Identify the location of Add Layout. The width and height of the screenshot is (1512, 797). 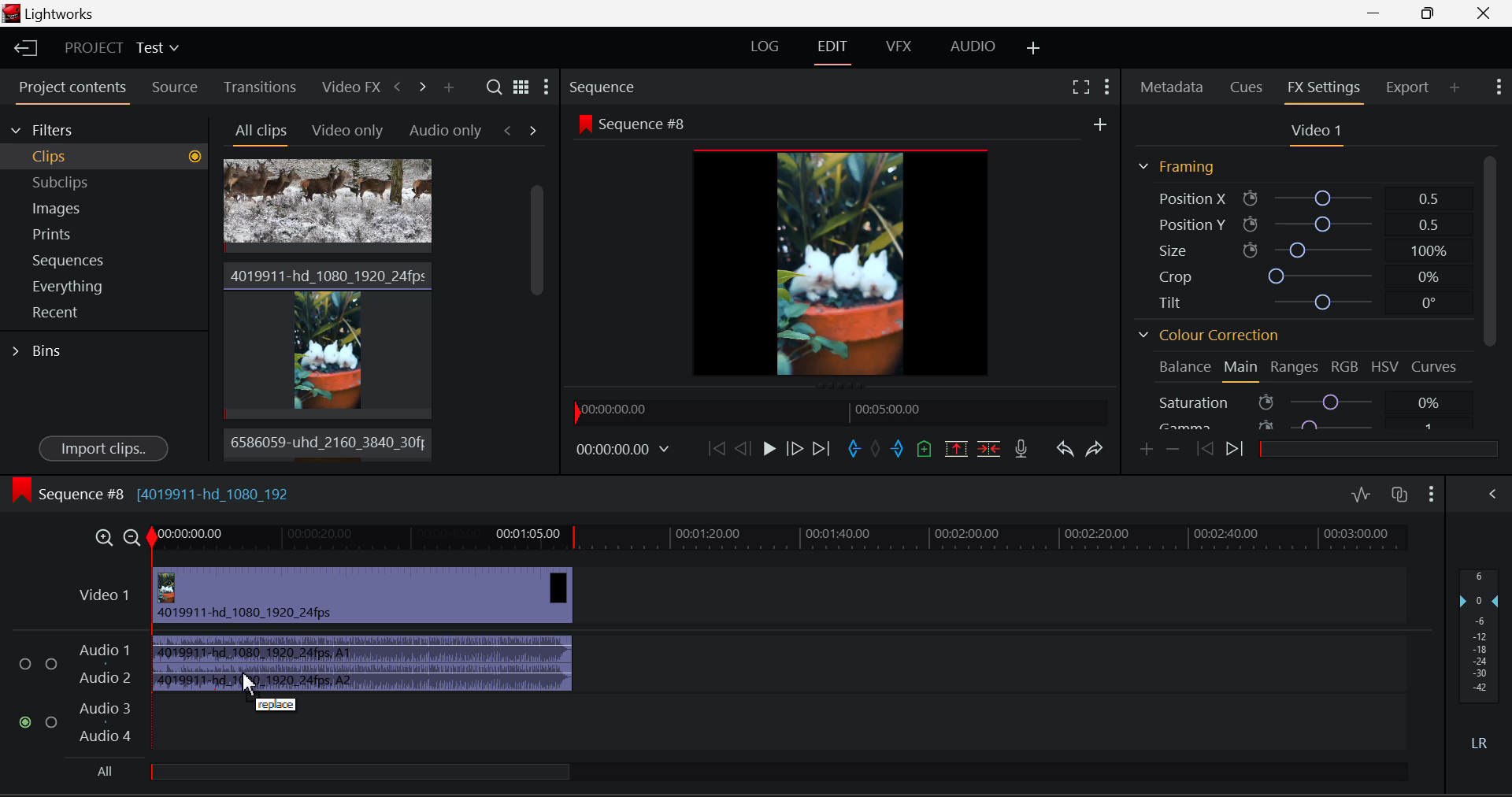
(1031, 46).